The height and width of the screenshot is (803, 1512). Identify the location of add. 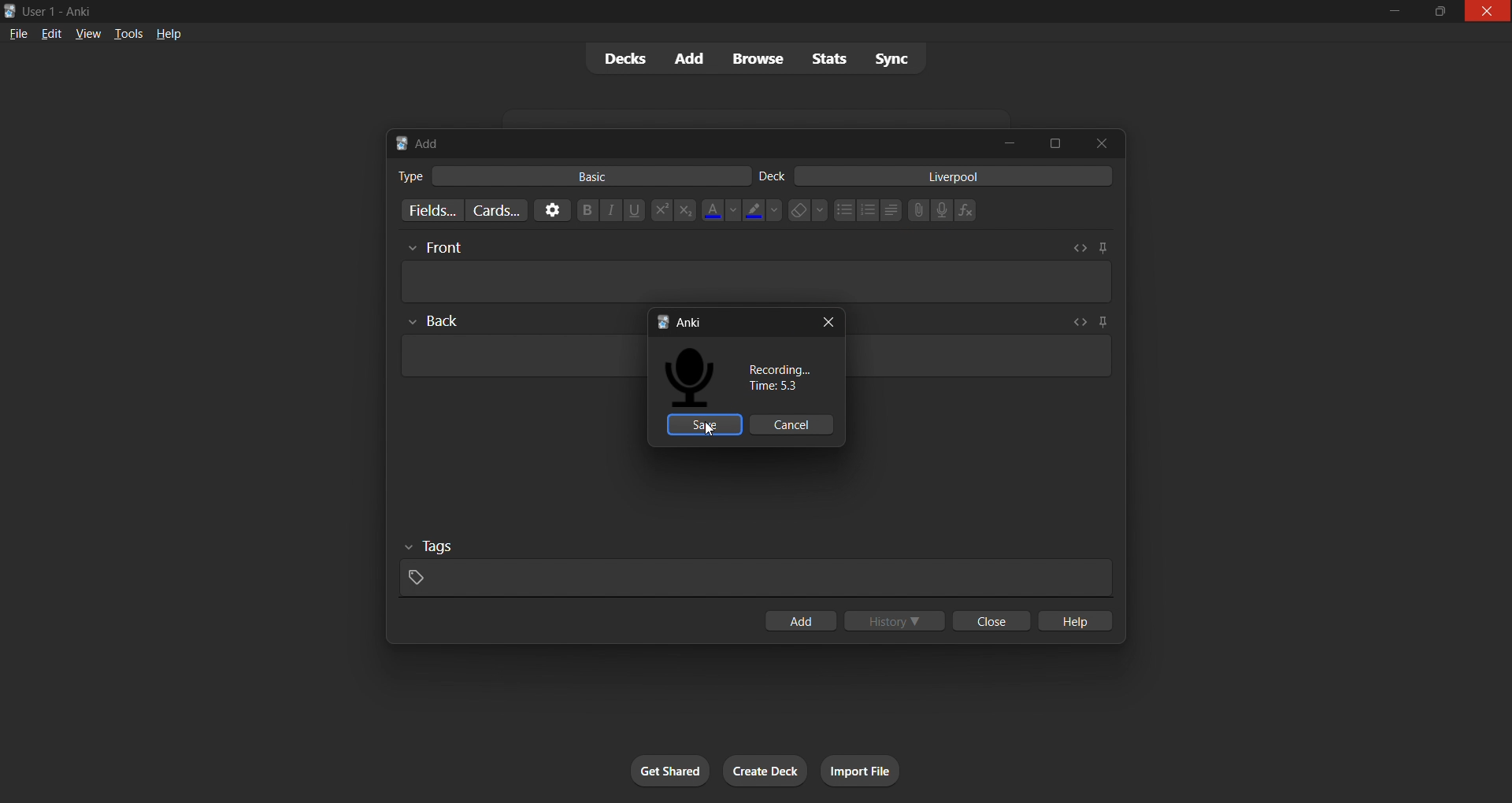
(799, 619).